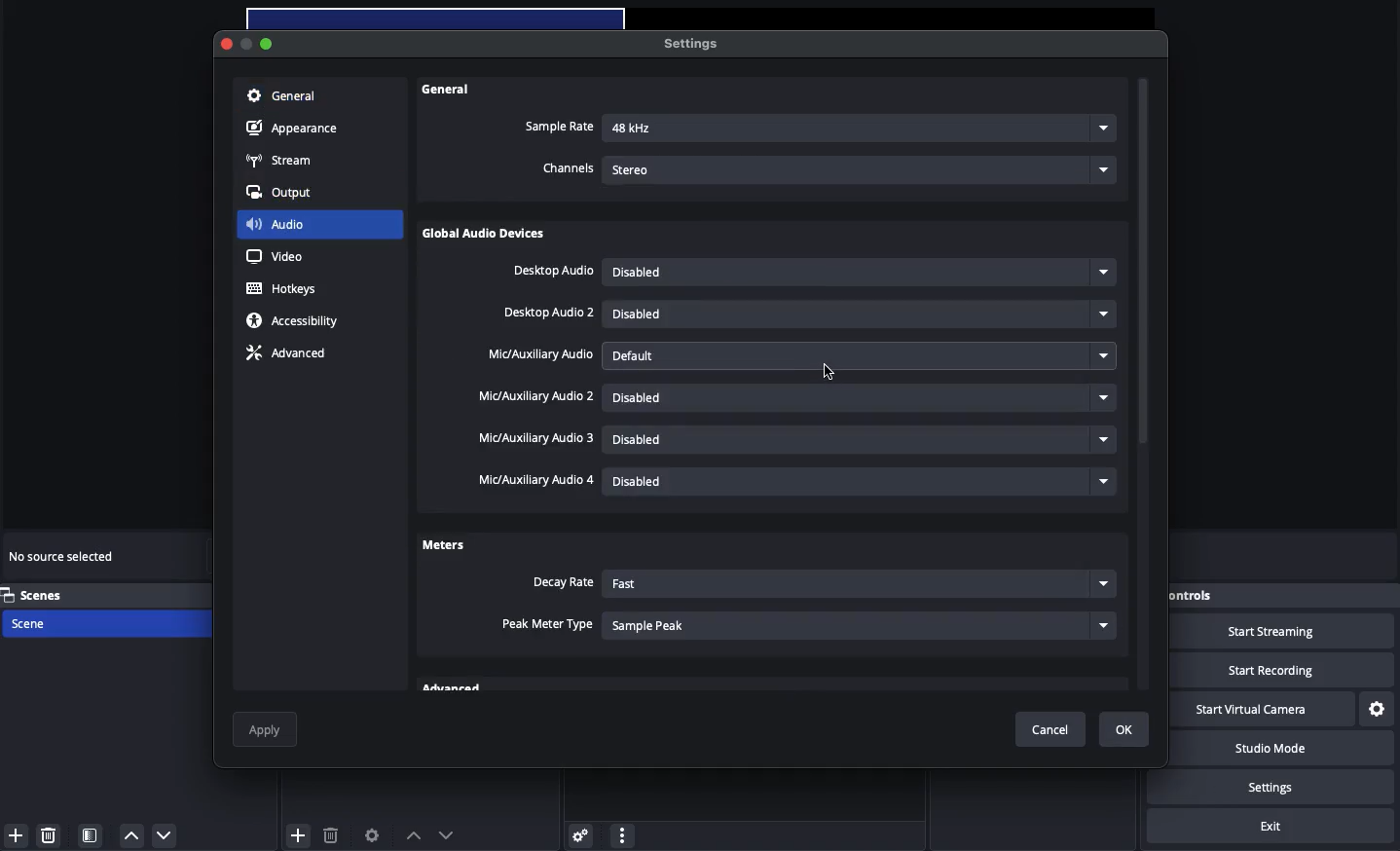 This screenshot has height=851, width=1400. What do you see at coordinates (446, 834) in the screenshot?
I see `Move down` at bounding box center [446, 834].